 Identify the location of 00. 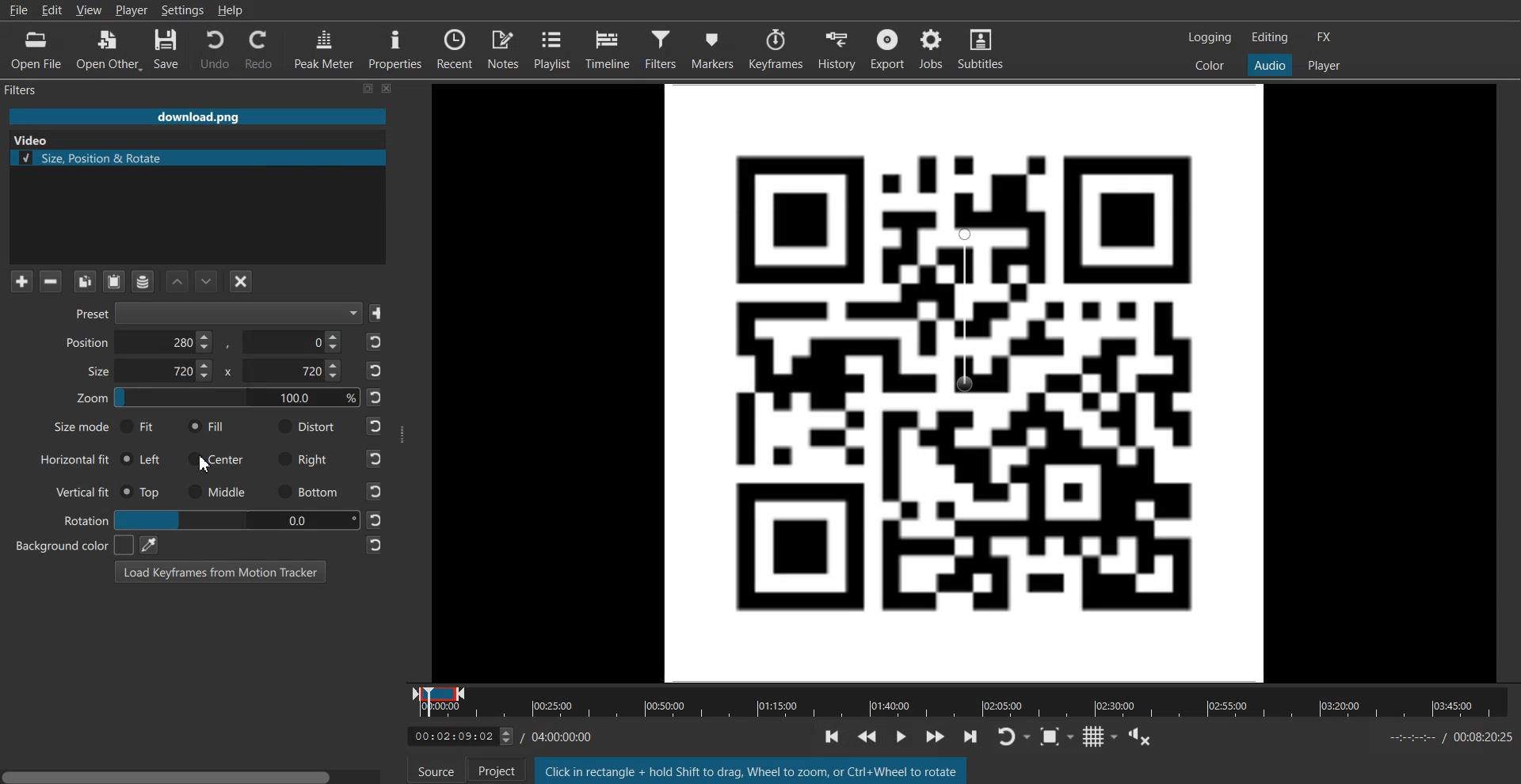
(234, 519).